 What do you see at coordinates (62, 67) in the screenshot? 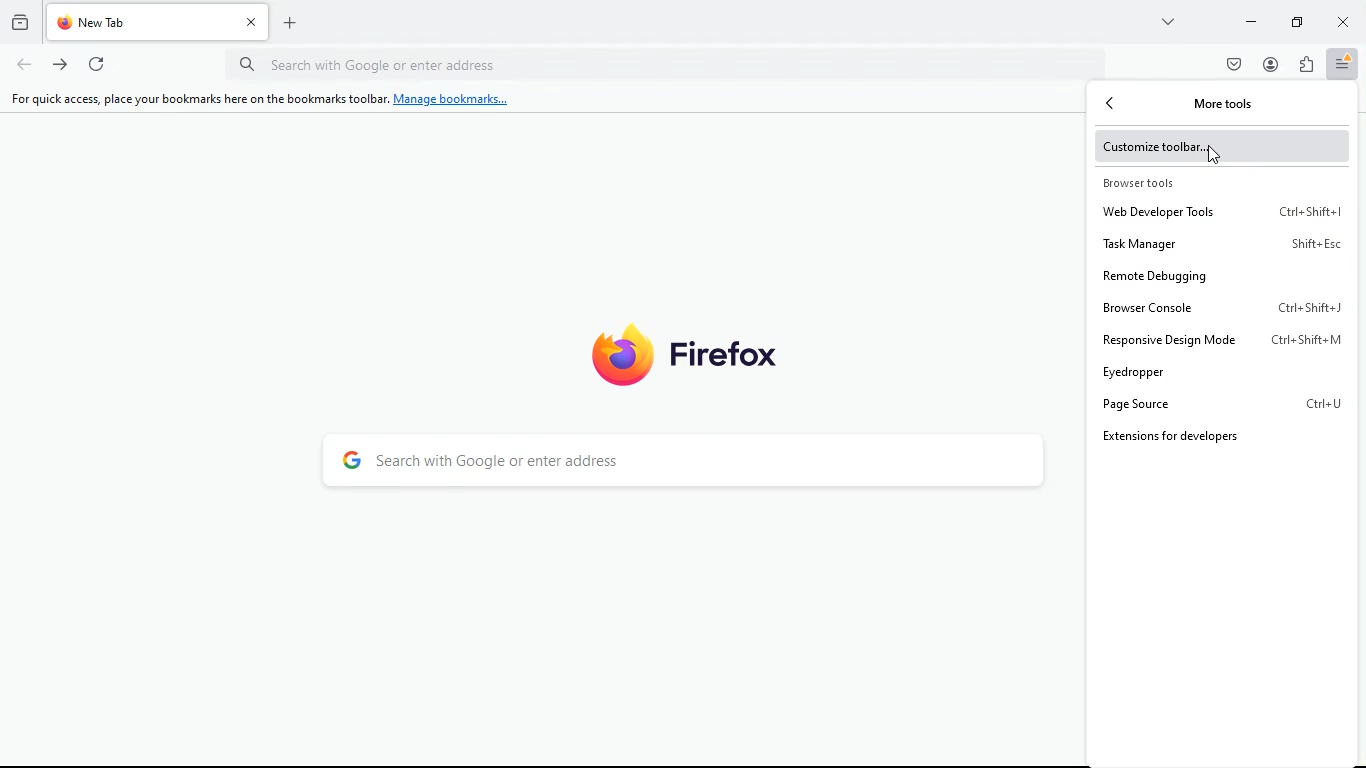
I see `forward` at bounding box center [62, 67].